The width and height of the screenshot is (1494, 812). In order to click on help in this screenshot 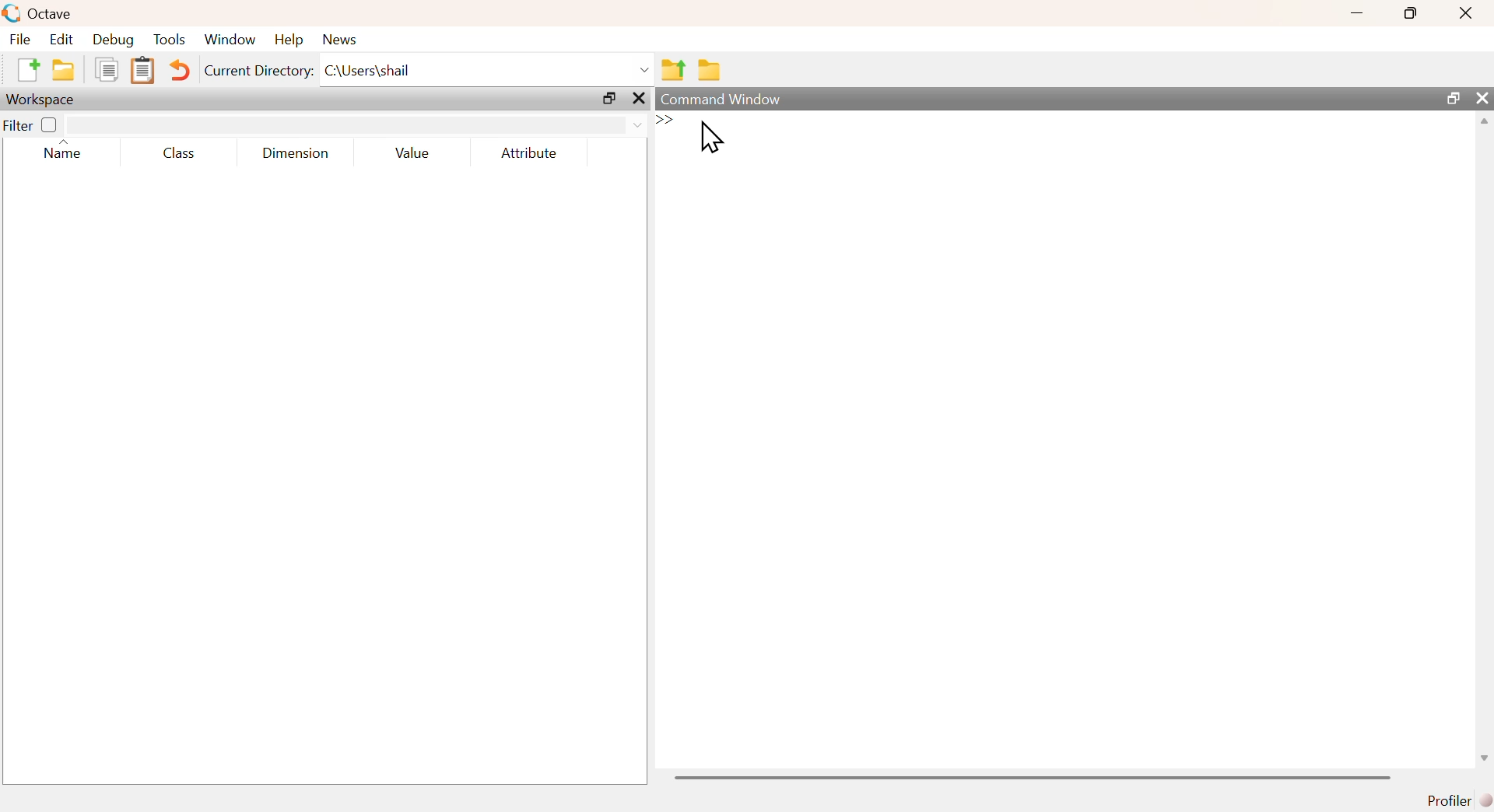, I will do `click(291, 41)`.